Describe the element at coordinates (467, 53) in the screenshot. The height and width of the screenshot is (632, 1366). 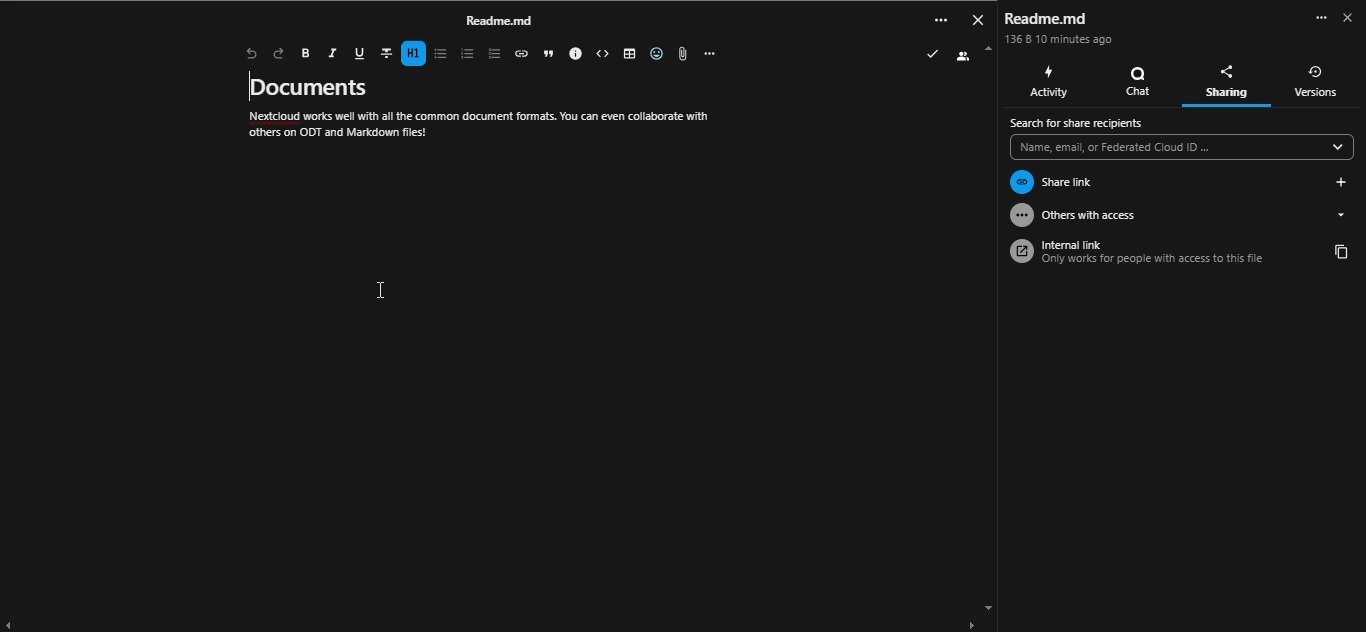
I see `bullet` at that location.